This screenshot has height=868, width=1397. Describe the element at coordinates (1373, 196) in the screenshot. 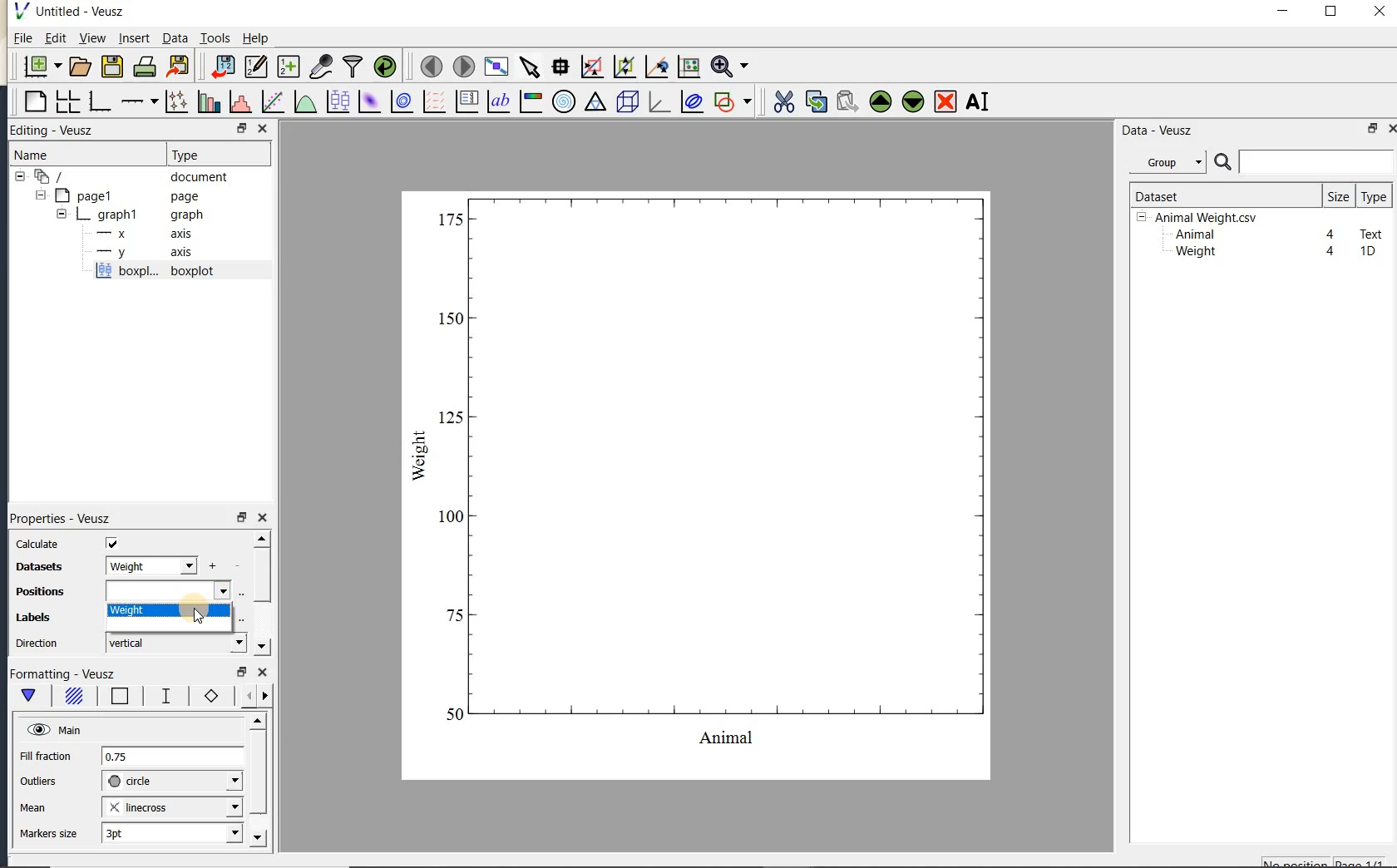

I see `type` at that location.